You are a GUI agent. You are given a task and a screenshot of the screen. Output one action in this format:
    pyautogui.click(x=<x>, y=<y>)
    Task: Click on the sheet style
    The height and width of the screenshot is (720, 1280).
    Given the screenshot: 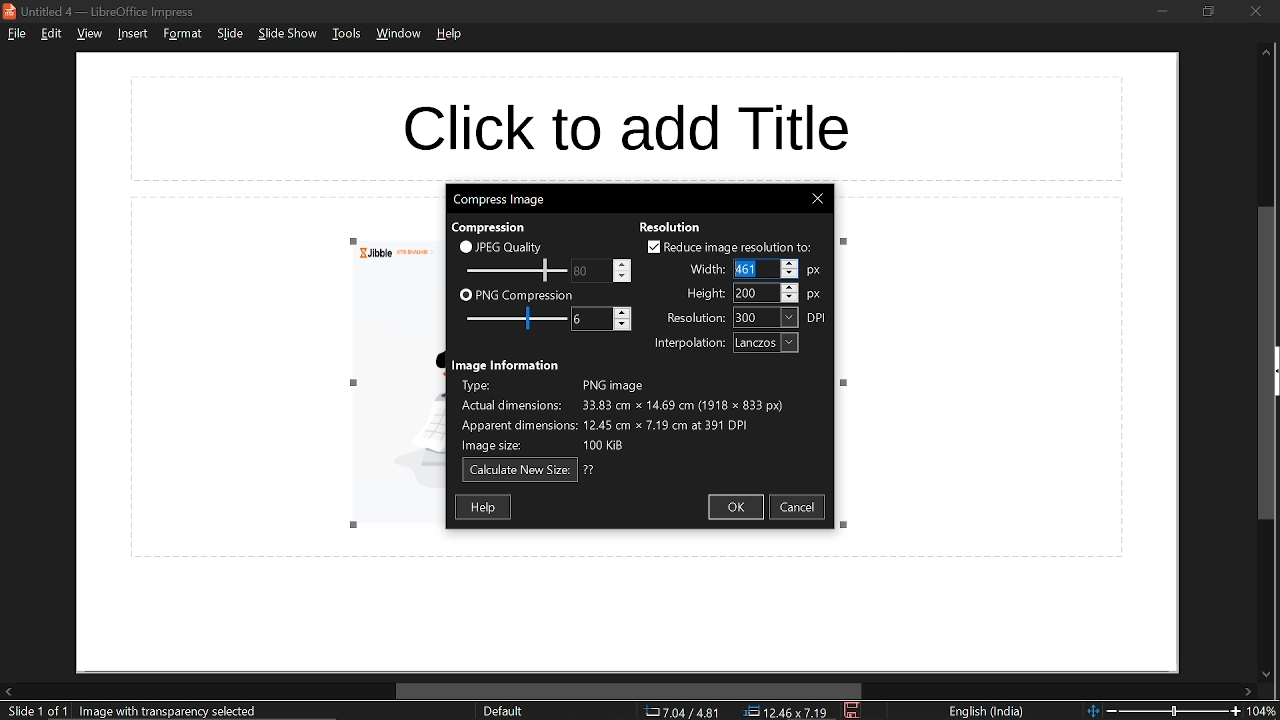 What is the action you would take?
    pyautogui.click(x=502, y=712)
    